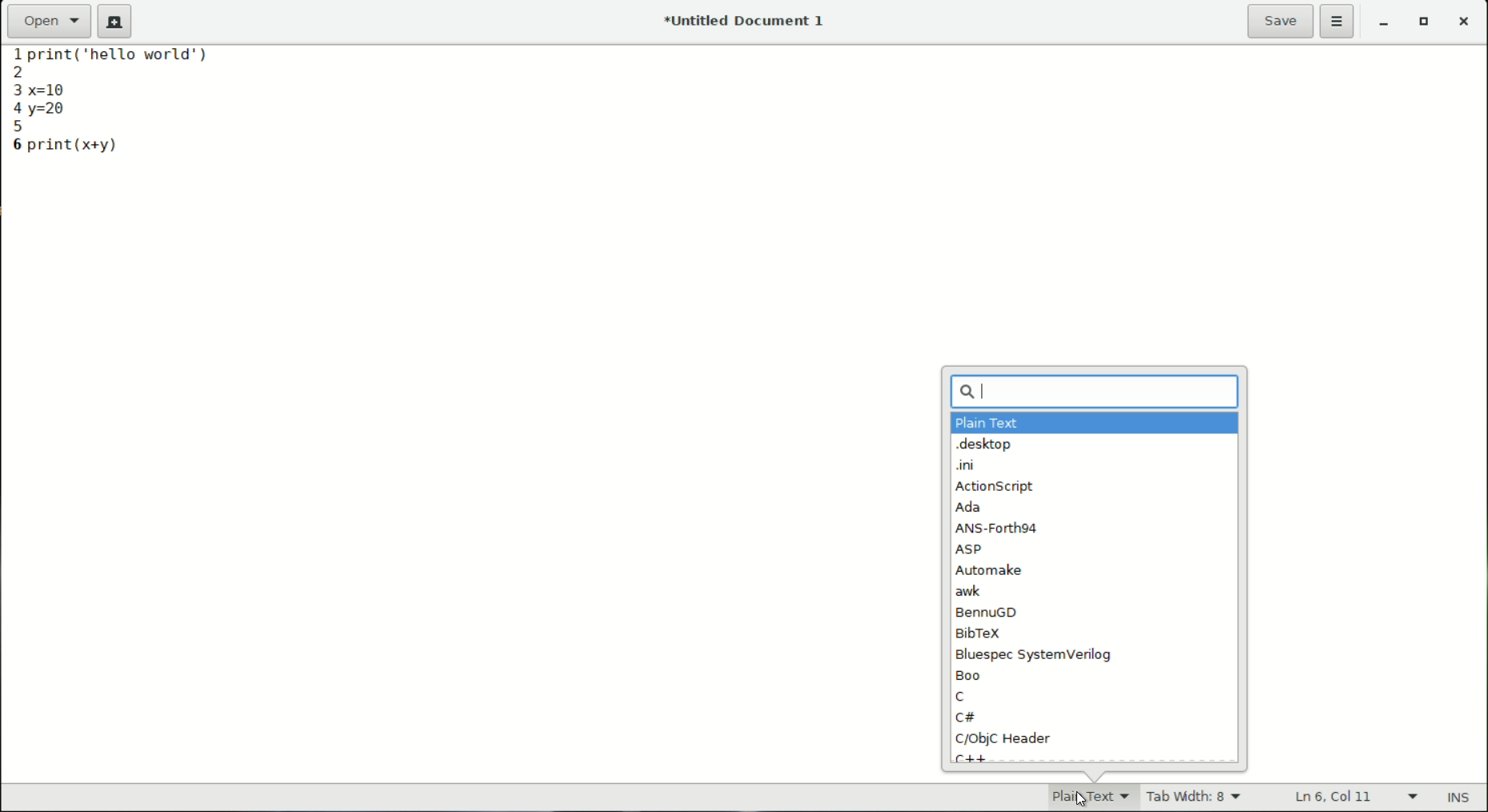 This screenshot has height=812, width=1488. I want to click on awk, so click(970, 592).